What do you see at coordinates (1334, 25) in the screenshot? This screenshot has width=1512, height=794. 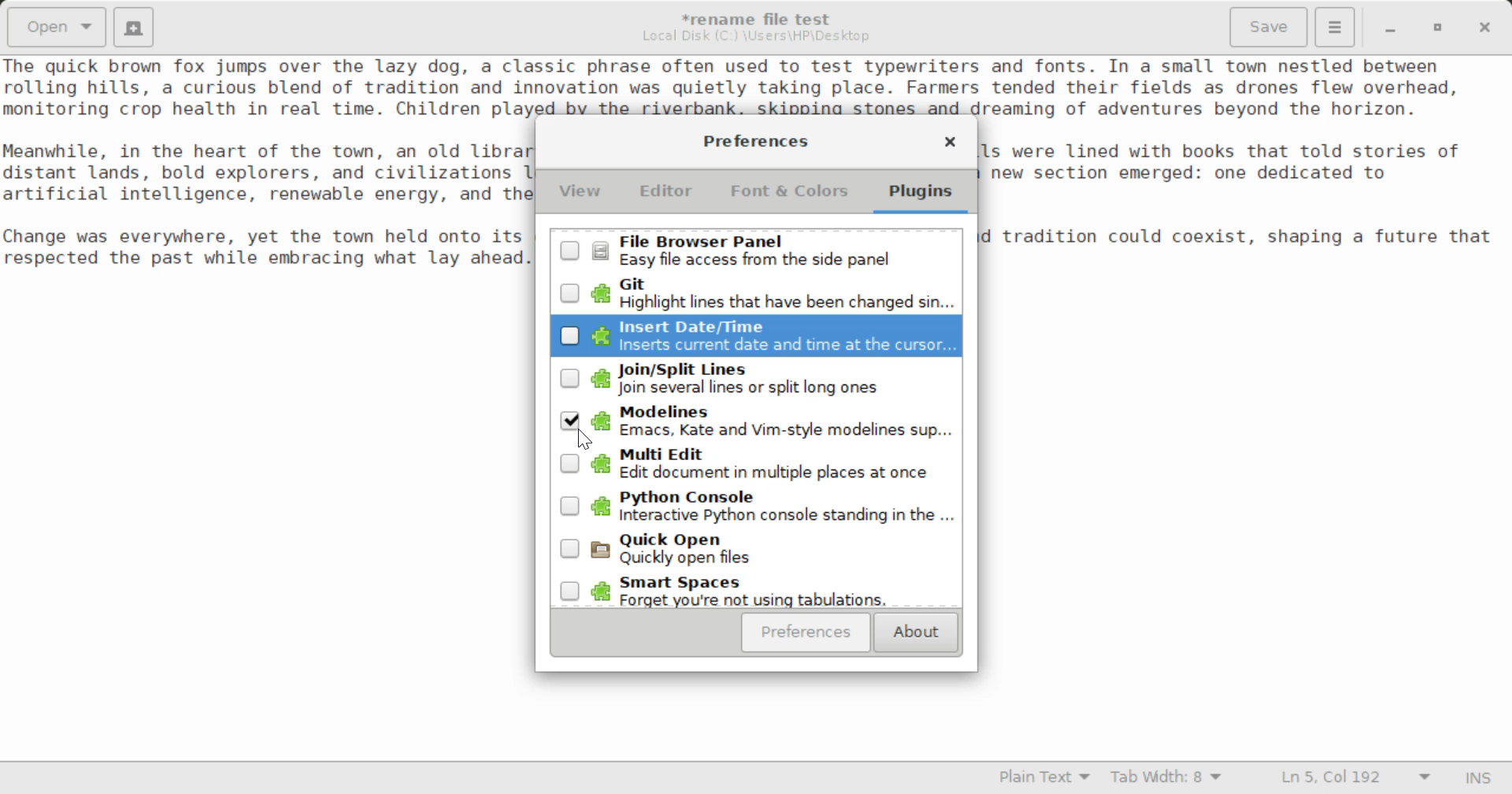 I see `Menu` at bounding box center [1334, 25].